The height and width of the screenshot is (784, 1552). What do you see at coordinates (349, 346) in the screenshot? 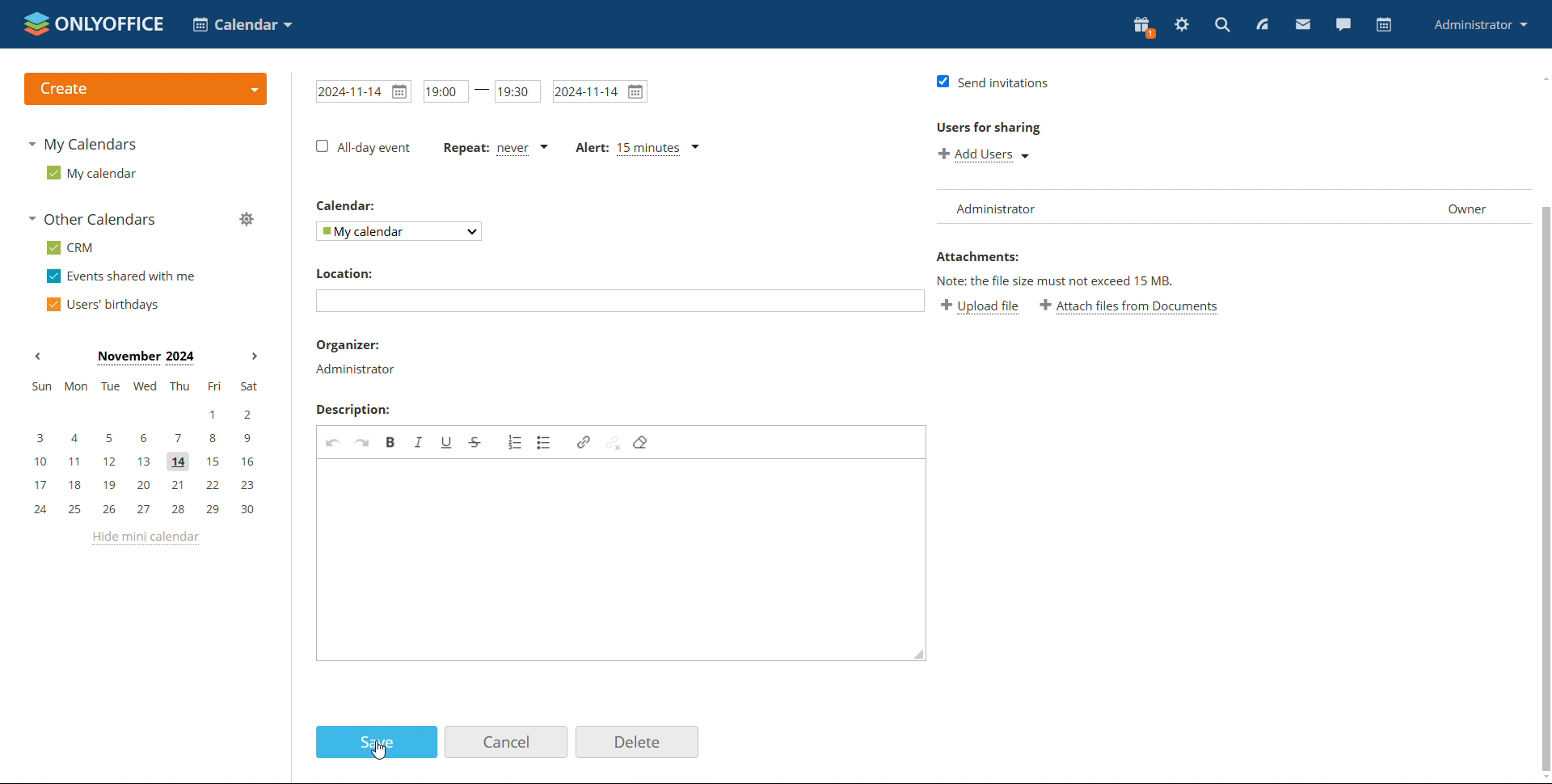
I see `organizer` at bounding box center [349, 346].